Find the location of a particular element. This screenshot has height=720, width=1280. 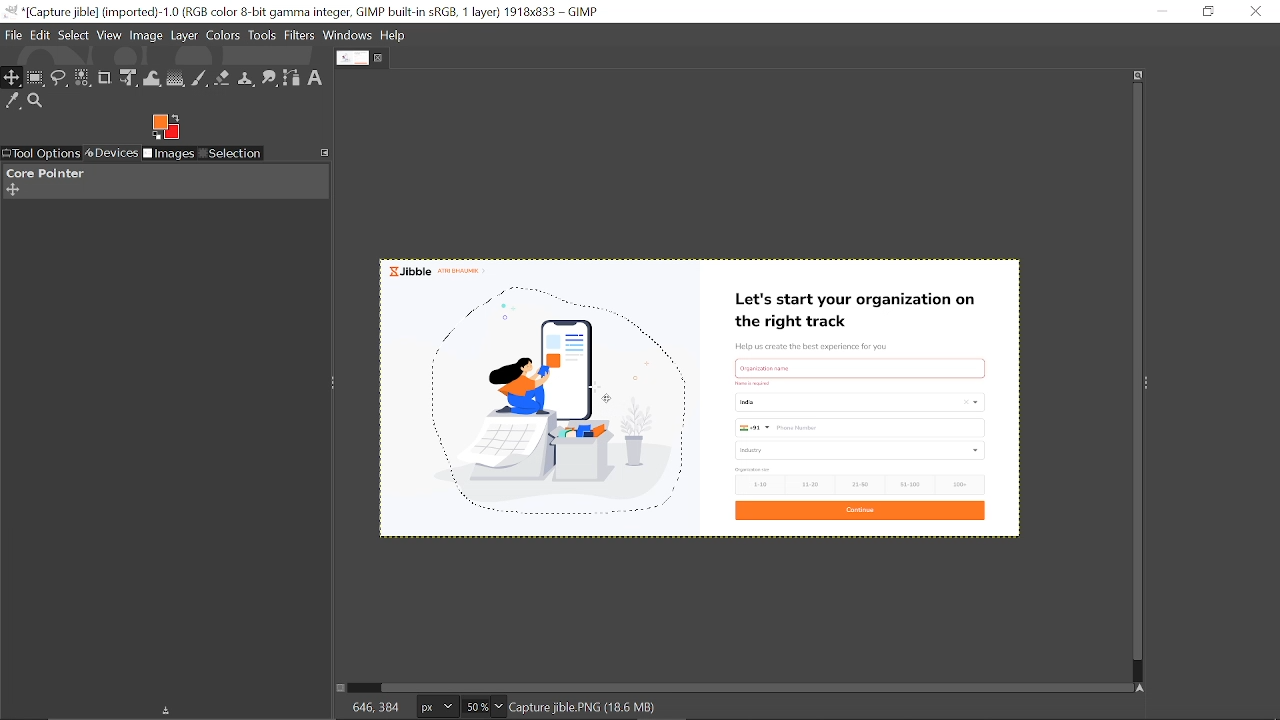

Zoom options is located at coordinates (497, 707).